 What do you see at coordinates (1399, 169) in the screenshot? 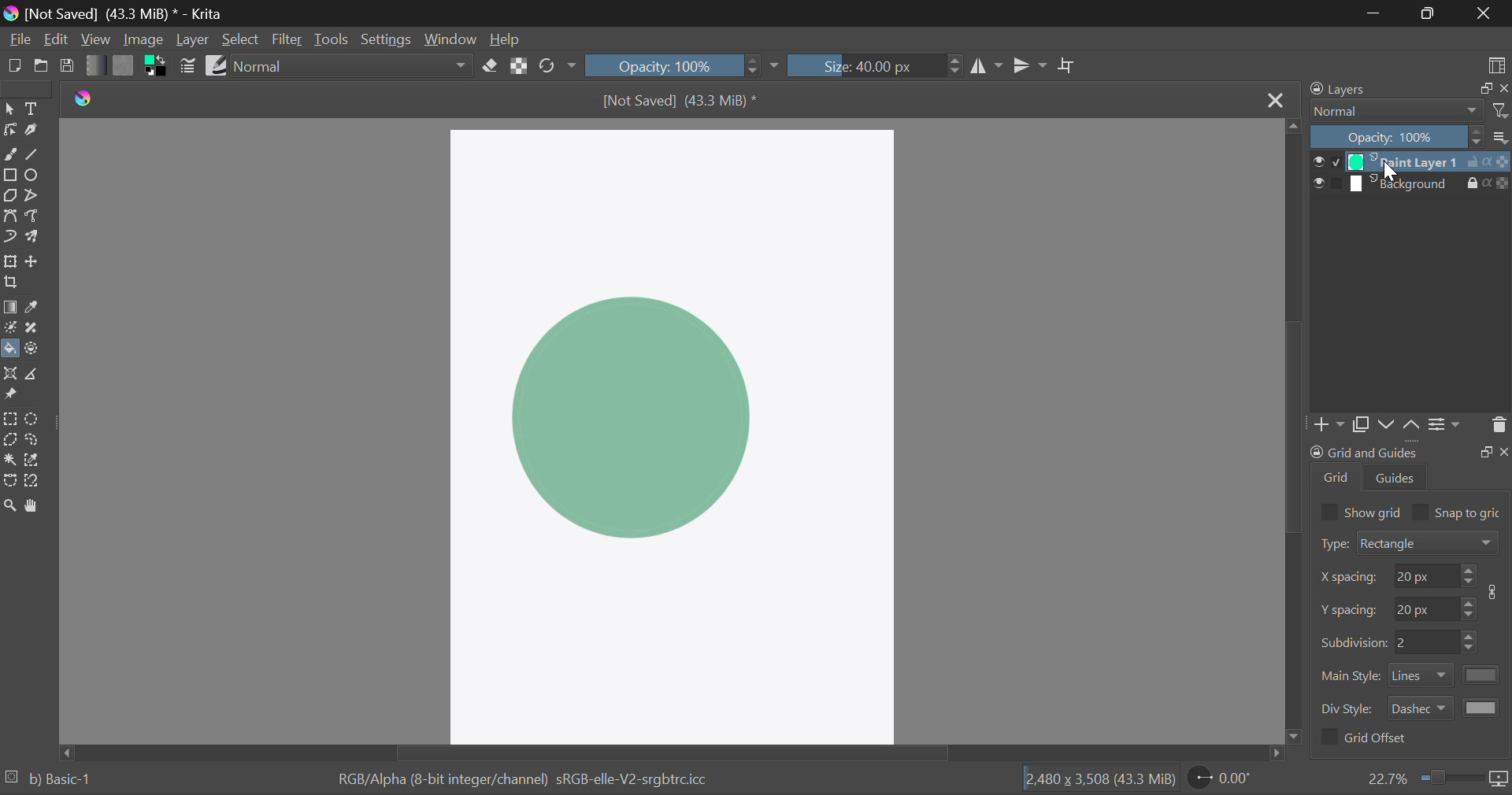
I see `Cursor on Layer` at bounding box center [1399, 169].